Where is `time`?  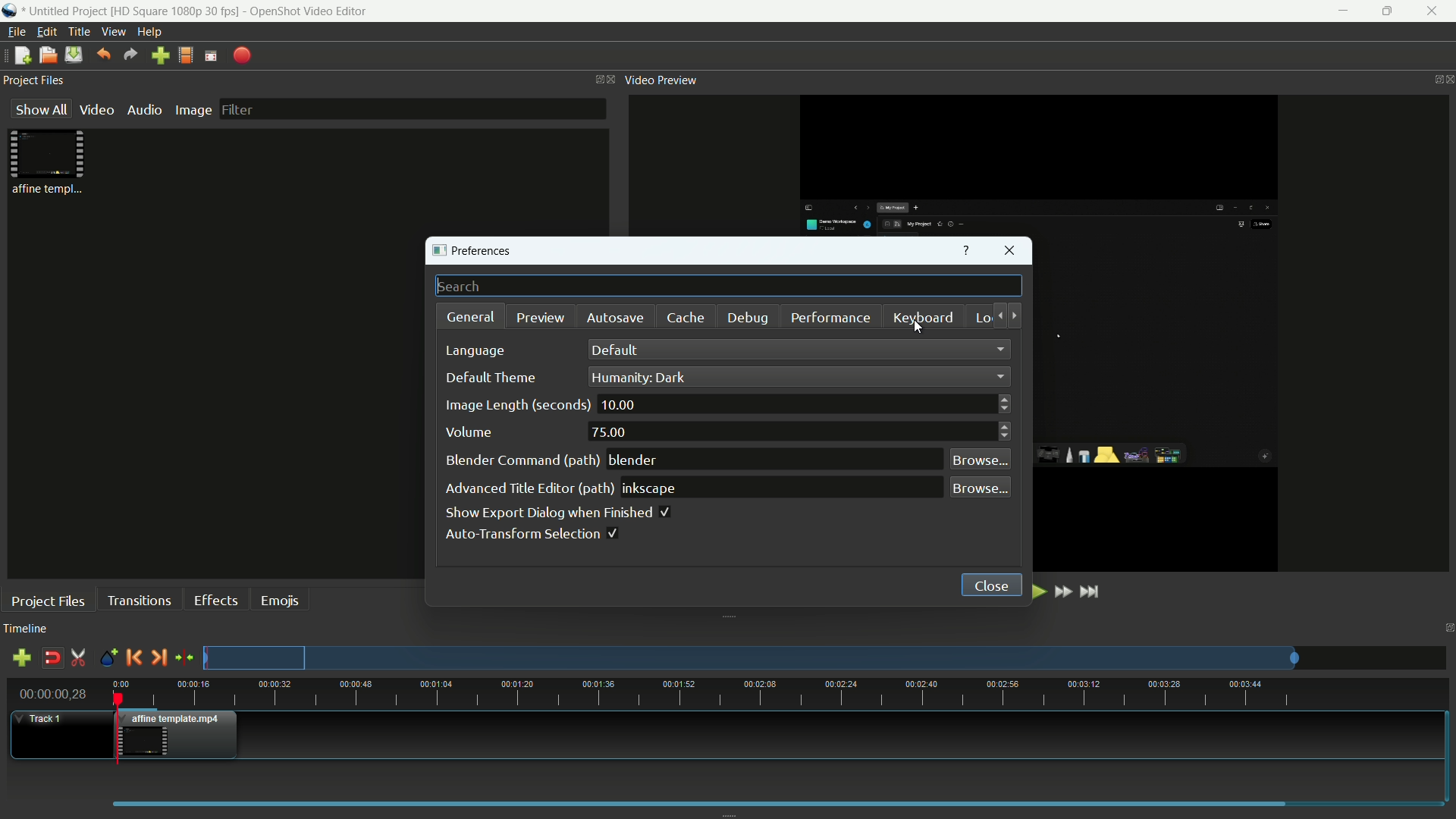
time is located at coordinates (780, 694).